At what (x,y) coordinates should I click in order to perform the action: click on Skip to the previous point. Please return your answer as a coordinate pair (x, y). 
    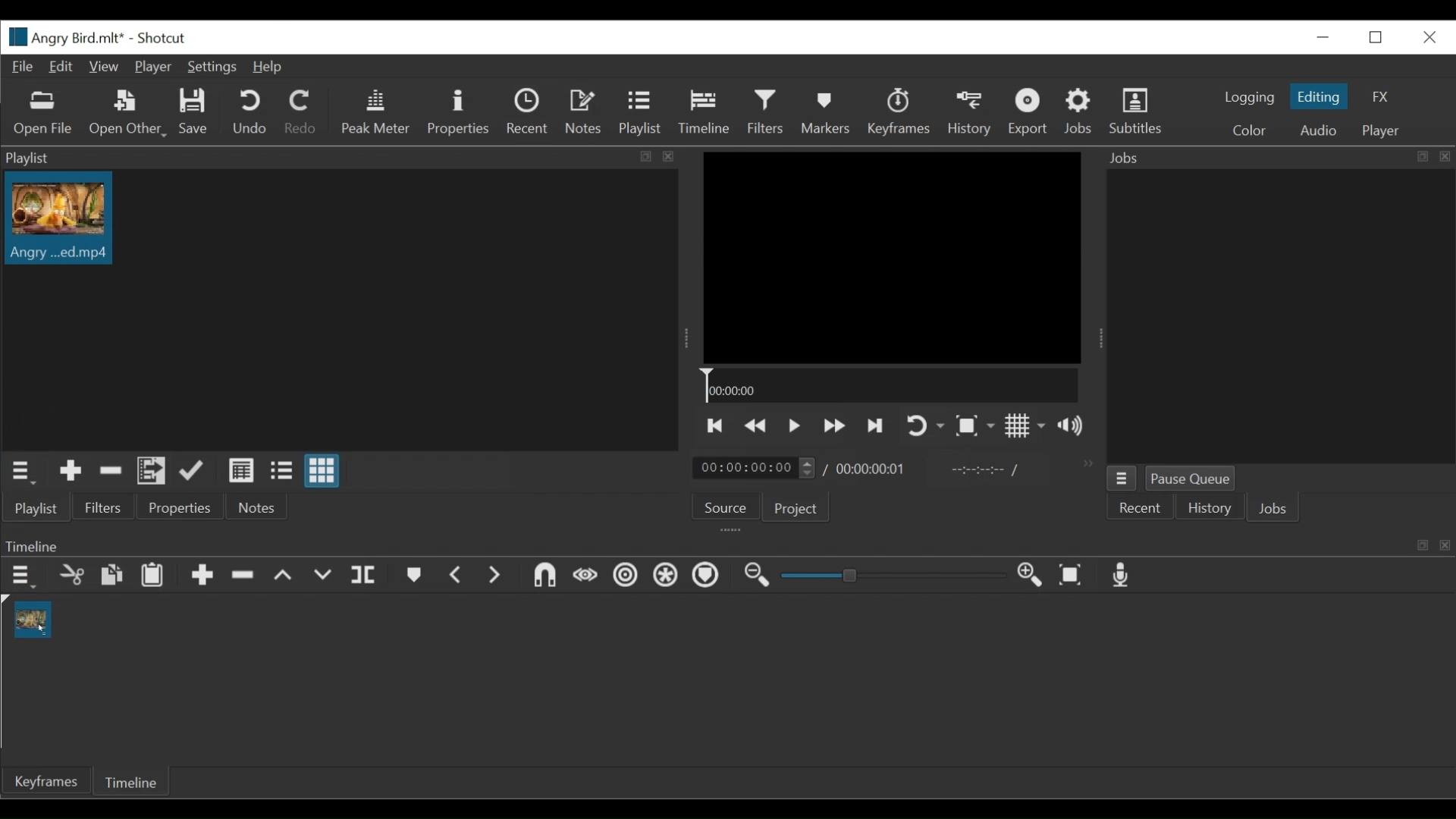
    Looking at the image, I should click on (717, 427).